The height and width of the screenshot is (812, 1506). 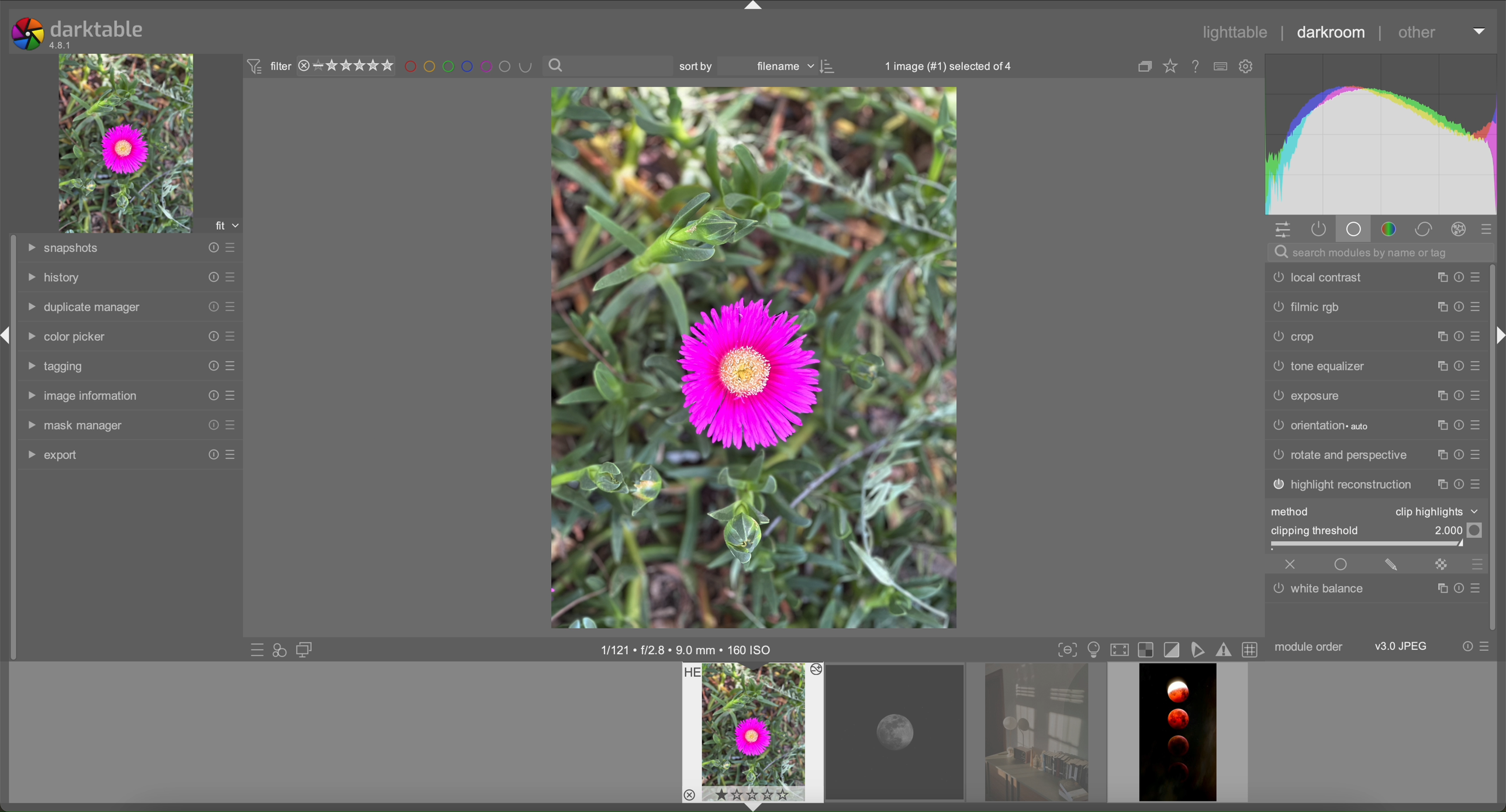 What do you see at coordinates (1391, 564) in the screenshot?
I see `edit` at bounding box center [1391, 564].